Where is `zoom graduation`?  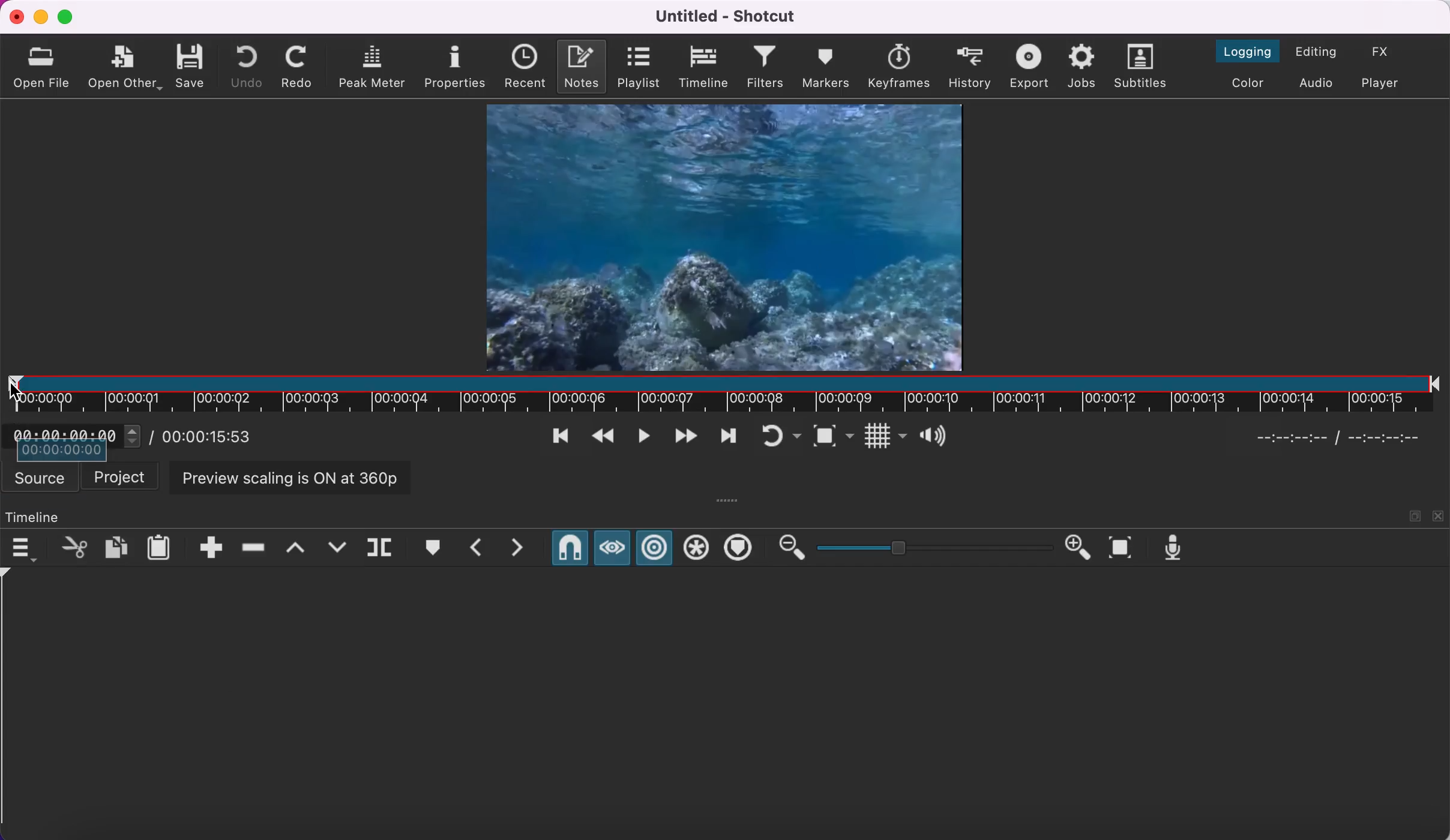
zoom graduation is located at coordinates (933, 547).